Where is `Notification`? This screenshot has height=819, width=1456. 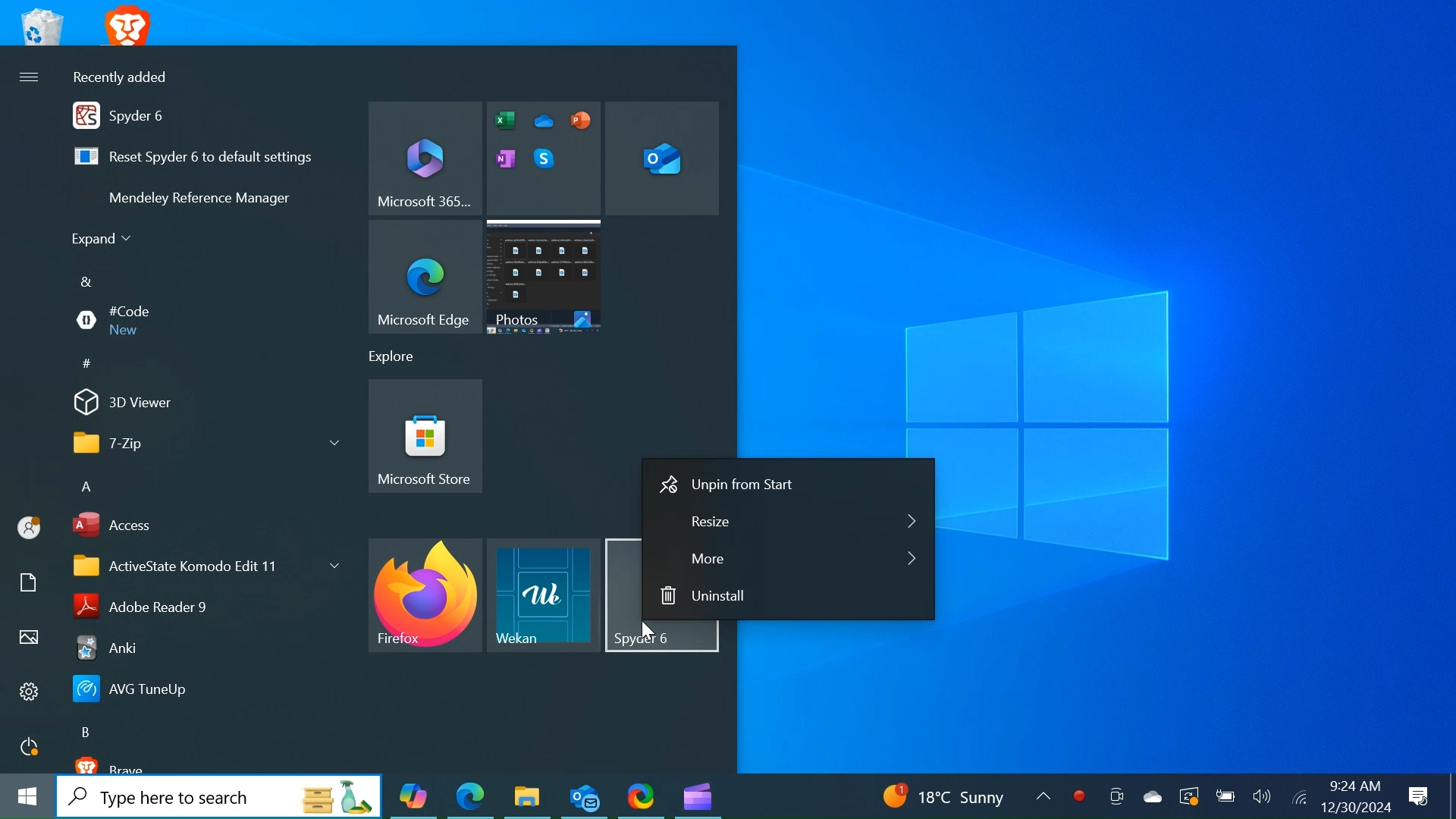
Notification is located at coordinates (1417, 796).